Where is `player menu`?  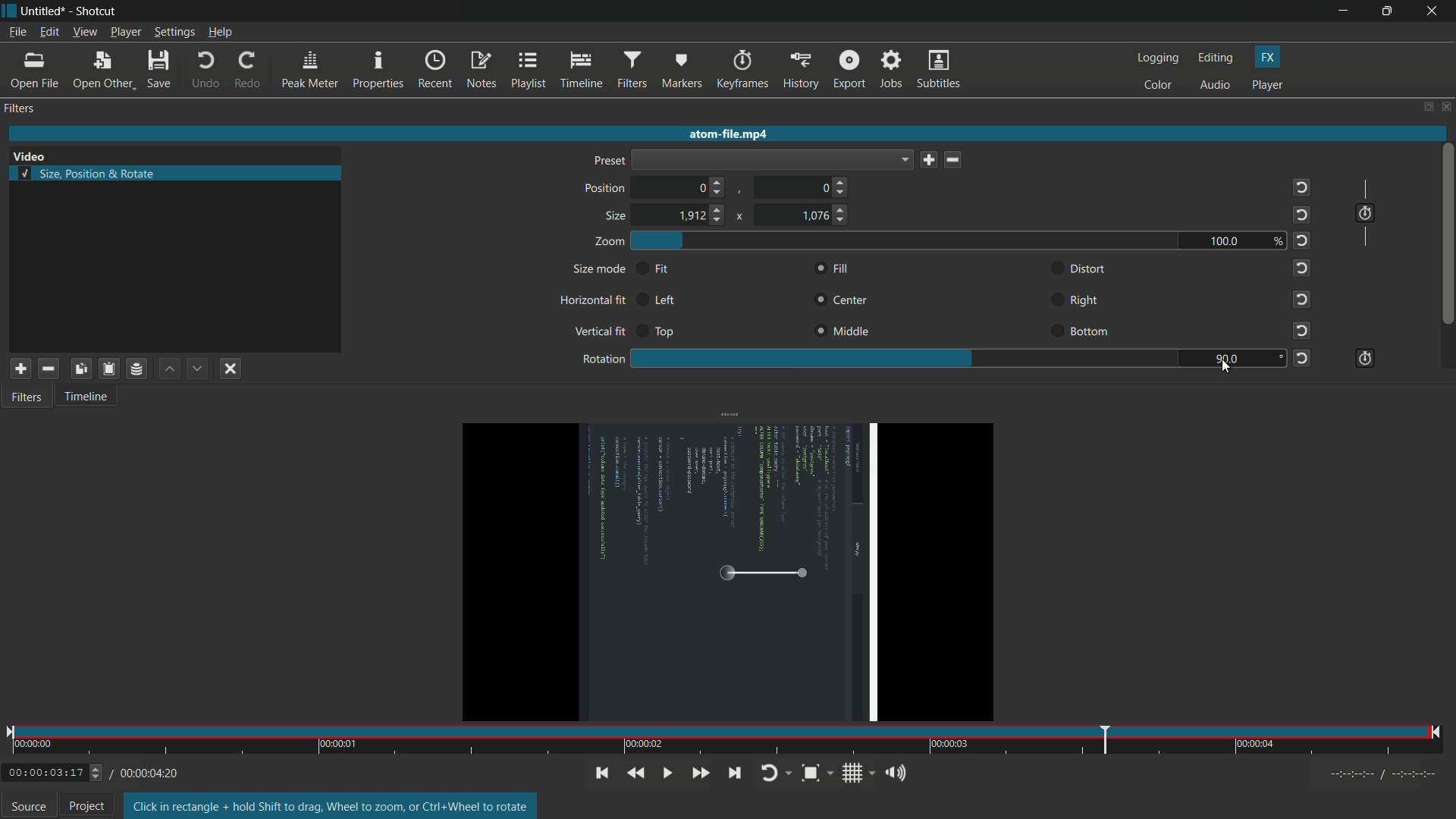
player menu is located at coordinates (125, 33).